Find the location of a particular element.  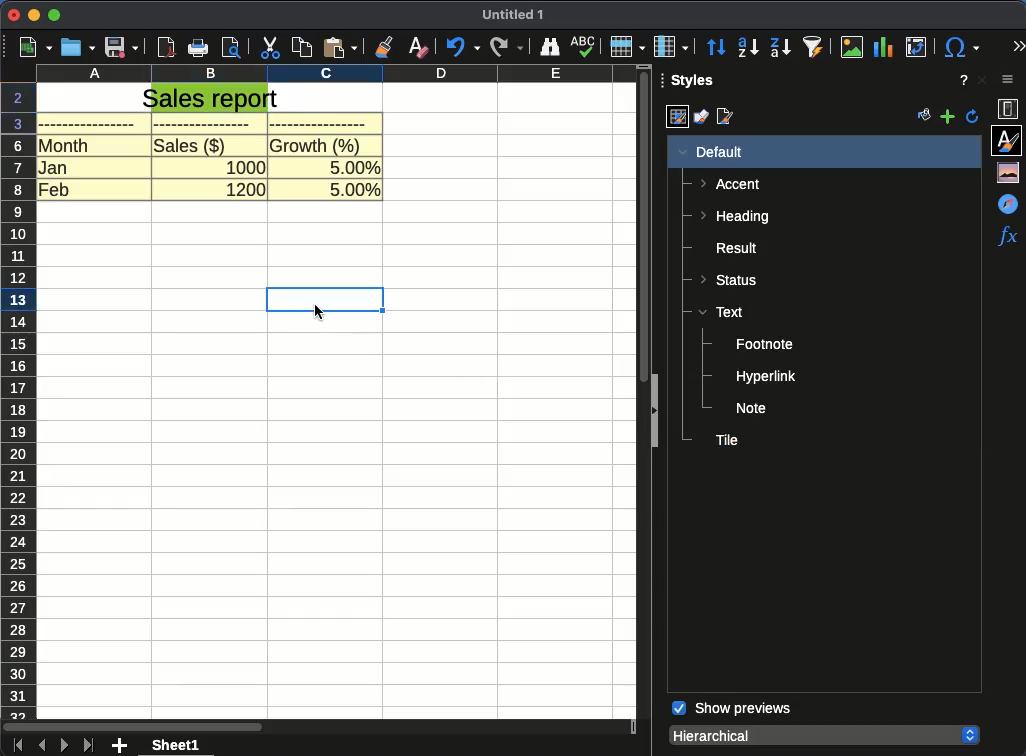

UNTITLED 1 is located at coordinates (513, 16).